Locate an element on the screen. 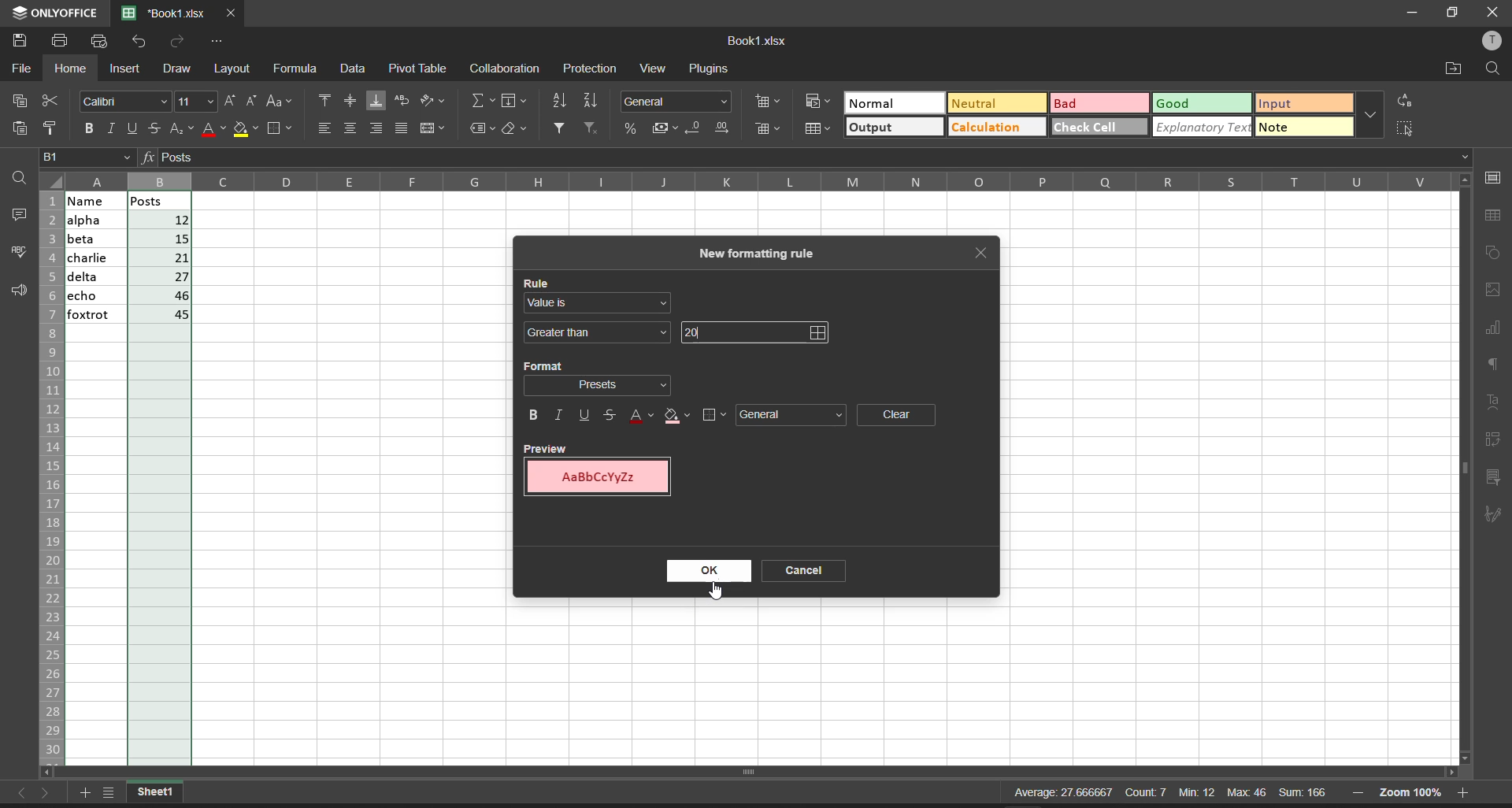 The width and height of the screenshot is (1512, 808). move to the sheet left is located at coordinates (14, 791).